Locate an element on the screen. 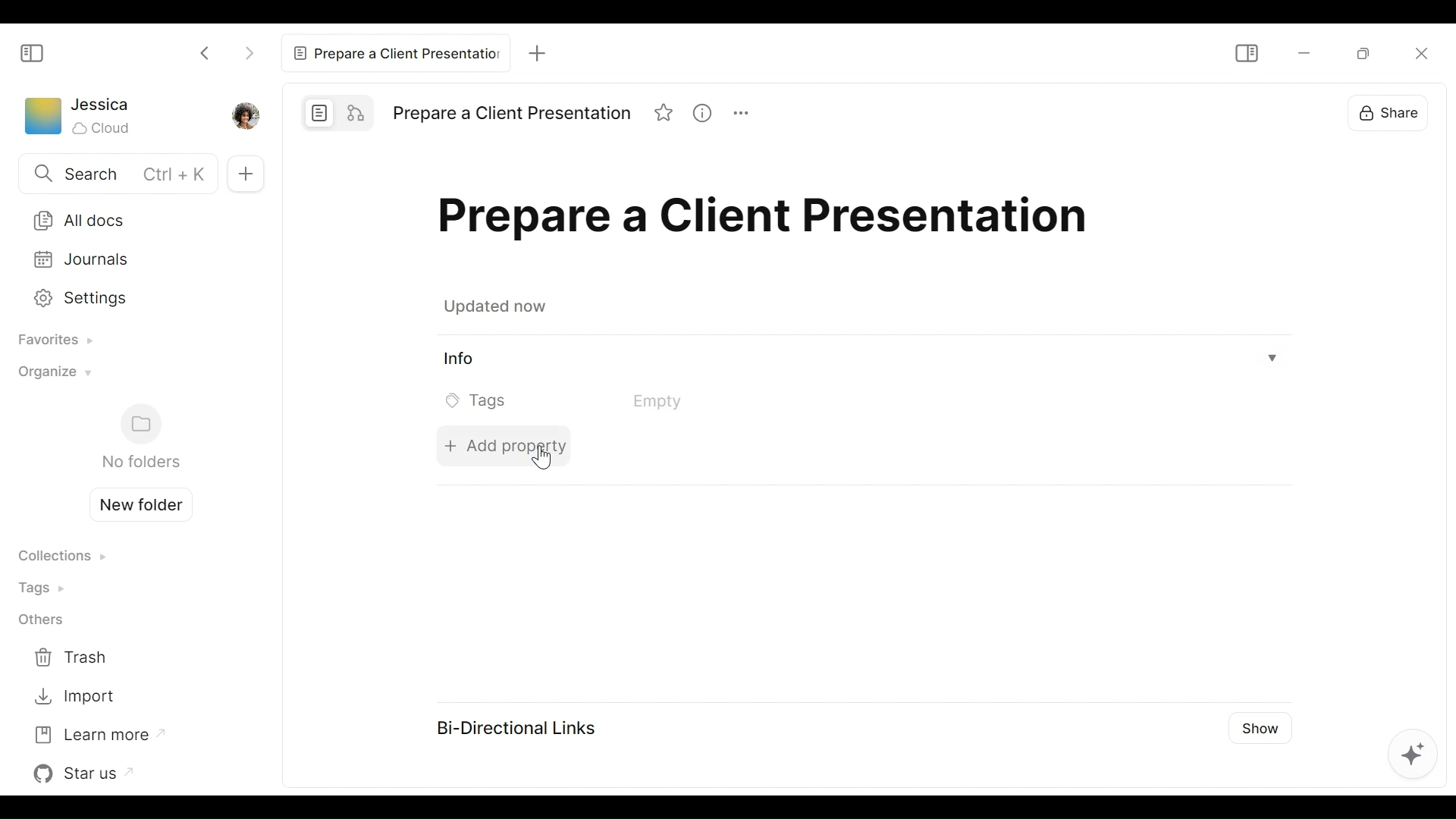 The height and width of the screenshot is (819, 1456). Star us is located at coordinates (87, 773).